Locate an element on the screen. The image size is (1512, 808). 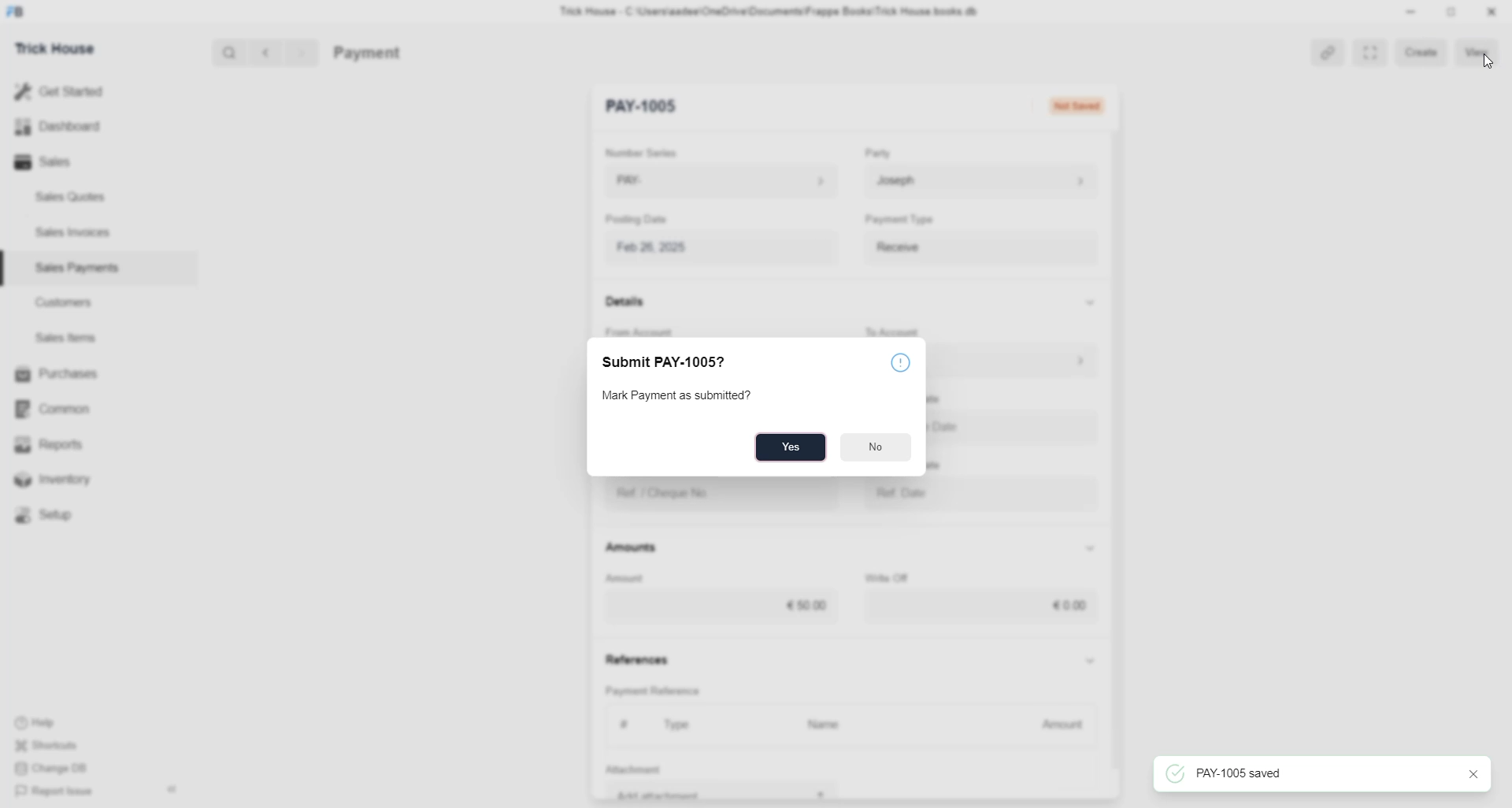
No is located at coordinates (876, 448).